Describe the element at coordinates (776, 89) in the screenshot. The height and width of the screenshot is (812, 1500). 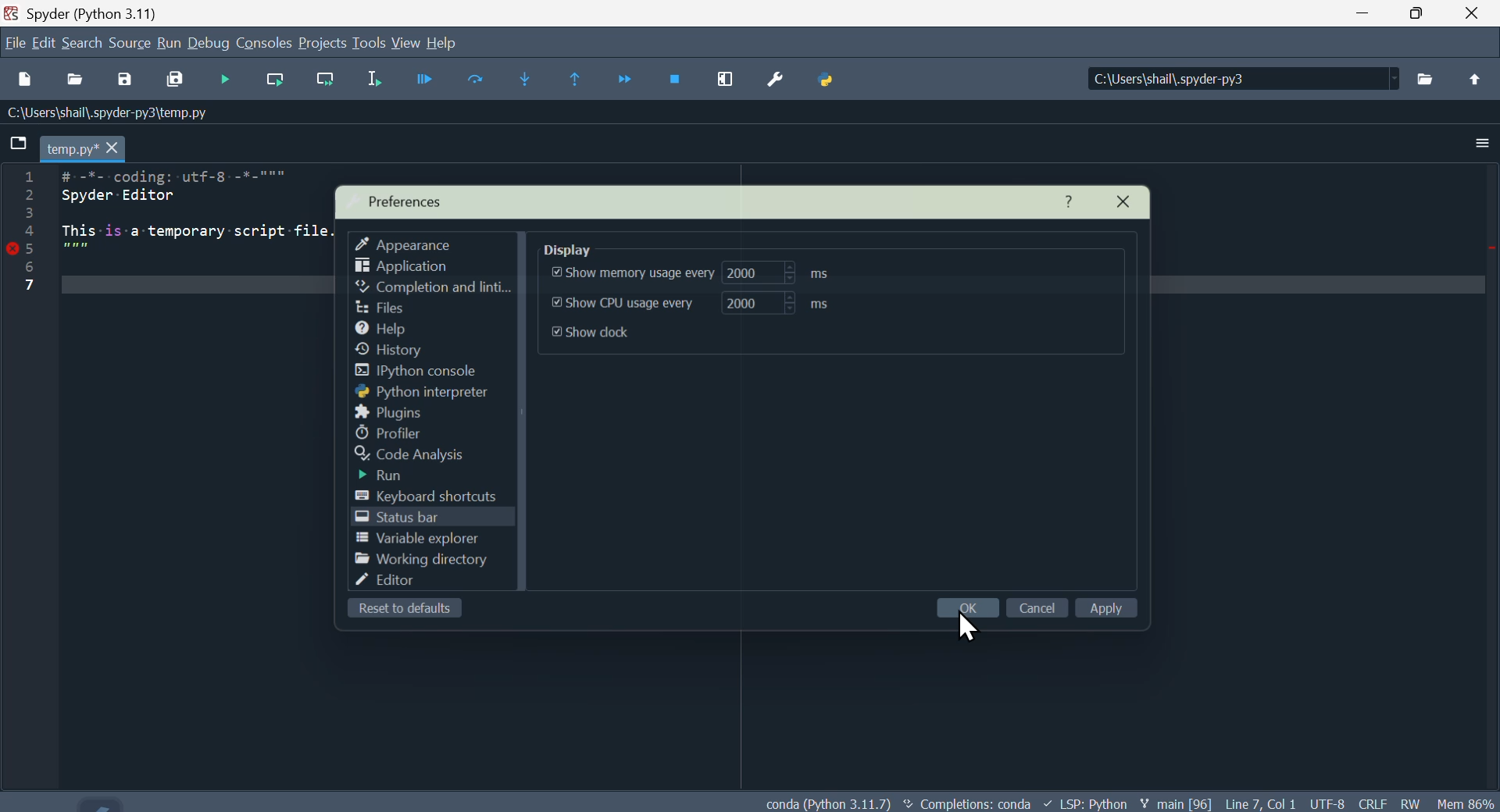
I see `Preferences` at that location.